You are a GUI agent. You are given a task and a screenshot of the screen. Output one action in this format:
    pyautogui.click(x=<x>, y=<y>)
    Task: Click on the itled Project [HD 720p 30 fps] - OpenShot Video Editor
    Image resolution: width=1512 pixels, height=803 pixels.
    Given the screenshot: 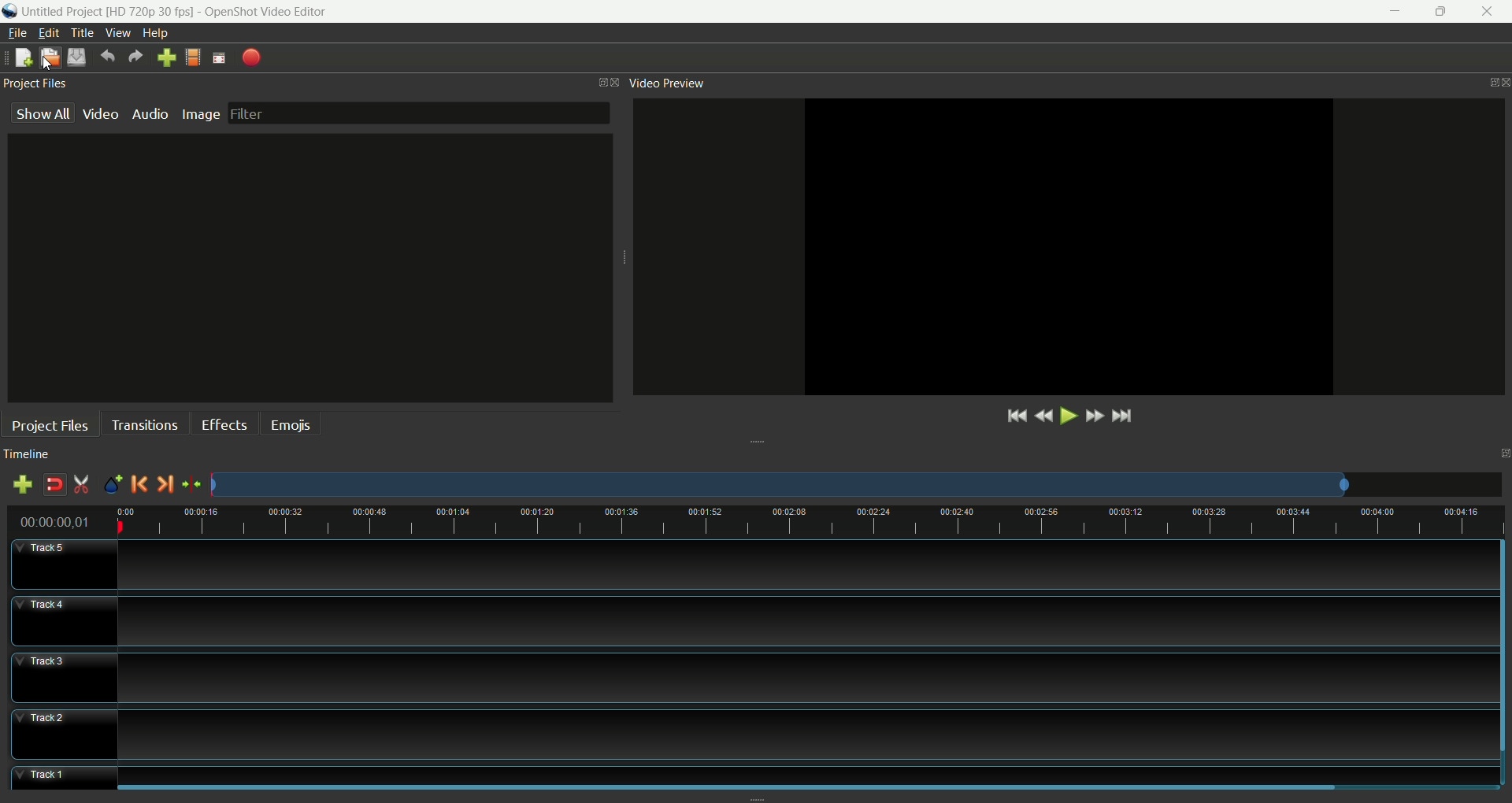 What is the action you would take?
    pyautogui.click(x=183, y=10)
    